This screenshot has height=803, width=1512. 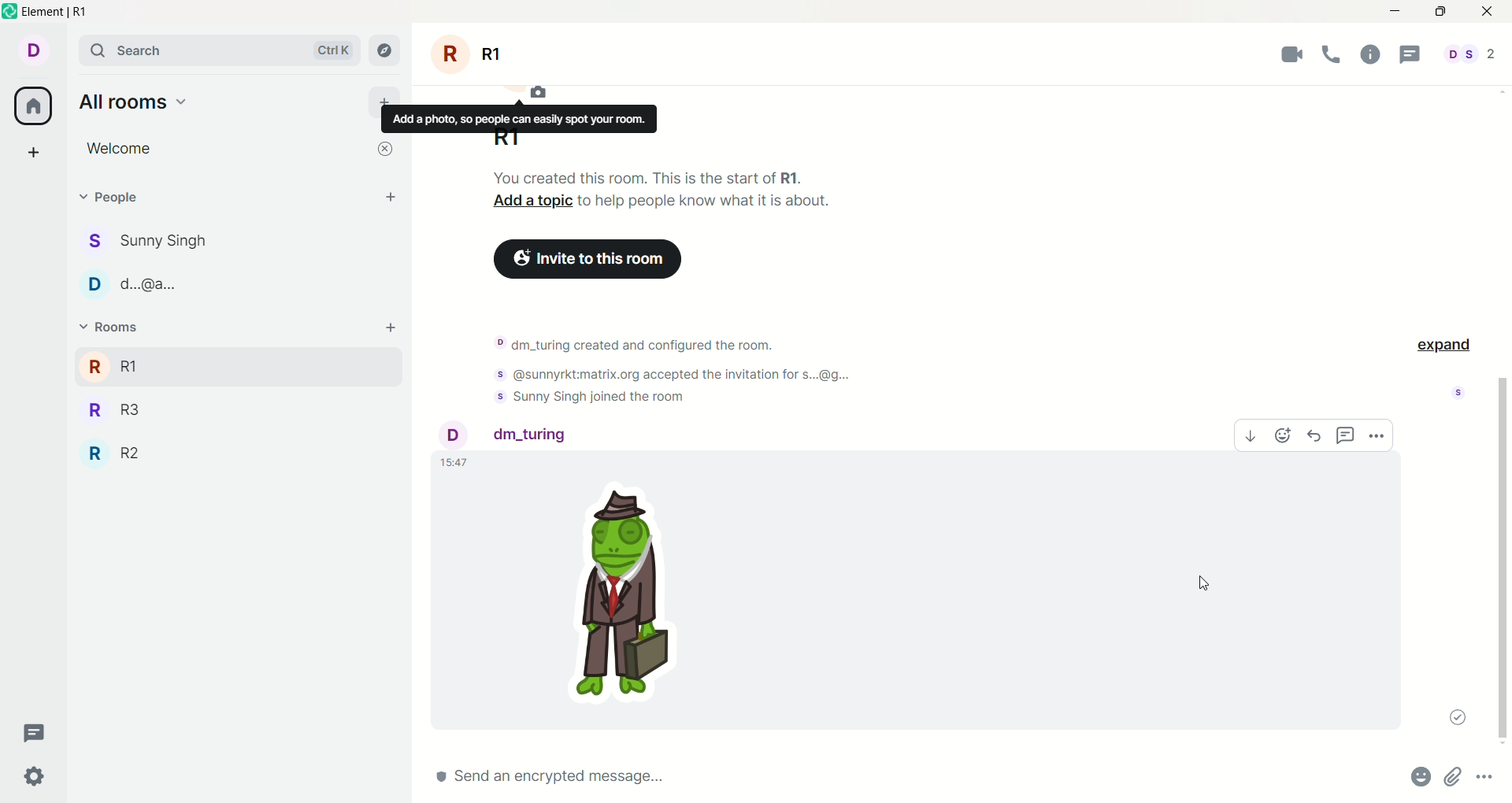 What do you see at coordinates (1315, 435) in the screenshot?
I see `reply` at bounding box center [1315, 435].